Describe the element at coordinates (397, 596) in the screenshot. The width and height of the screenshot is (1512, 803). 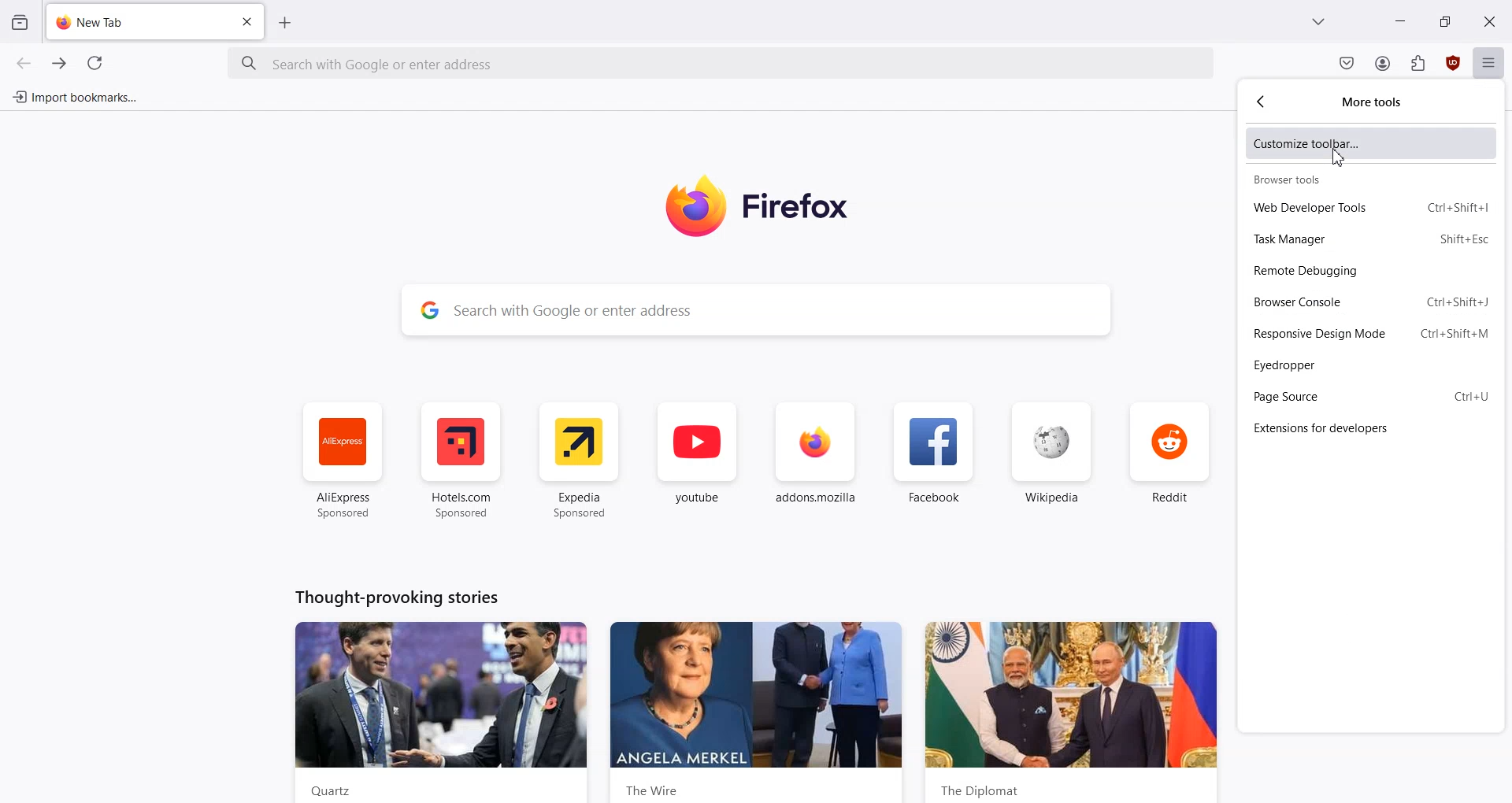
I see `Text` at that location.